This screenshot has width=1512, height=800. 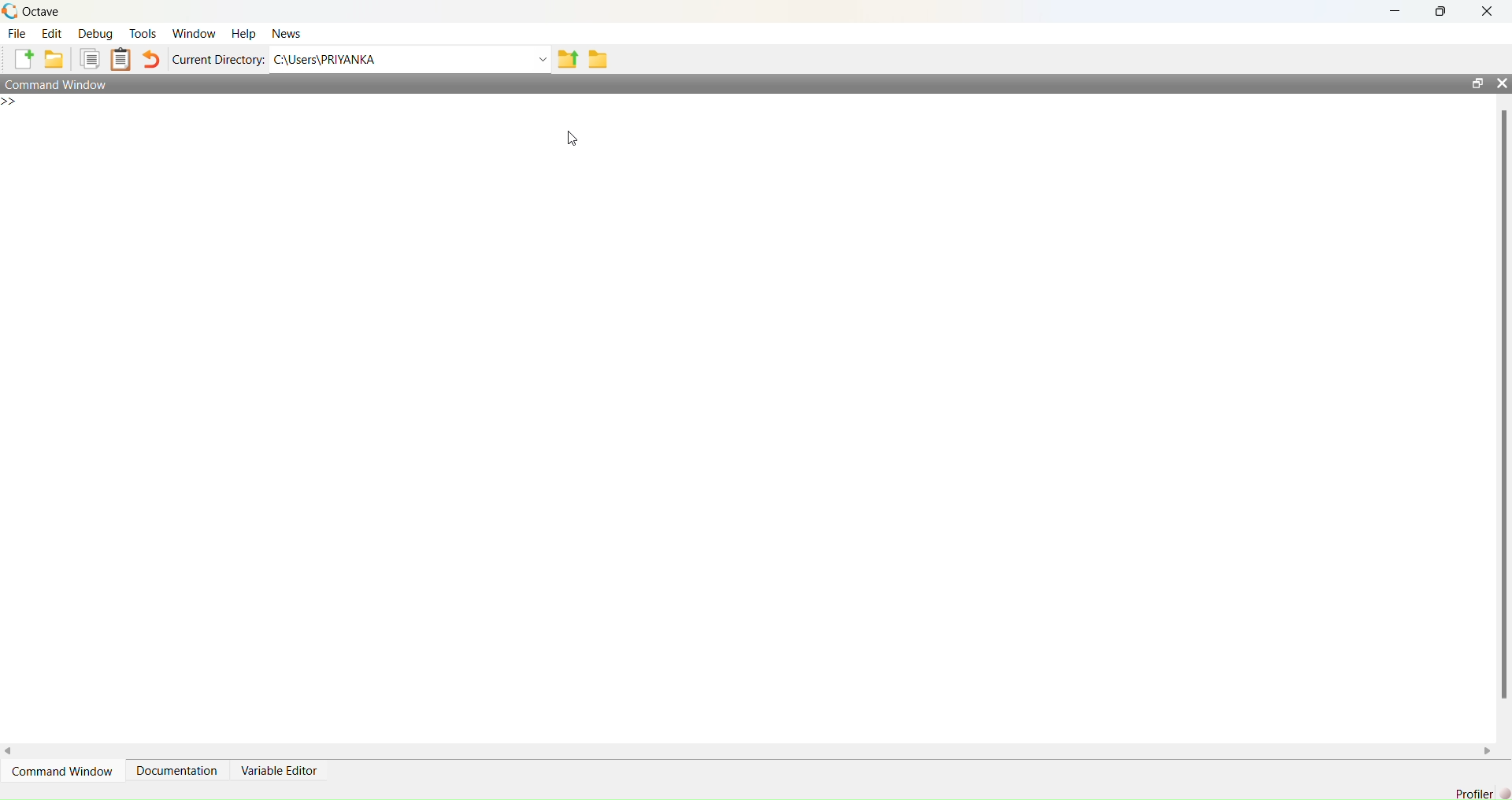 I want to click on close, so click(x=1503, y=83).